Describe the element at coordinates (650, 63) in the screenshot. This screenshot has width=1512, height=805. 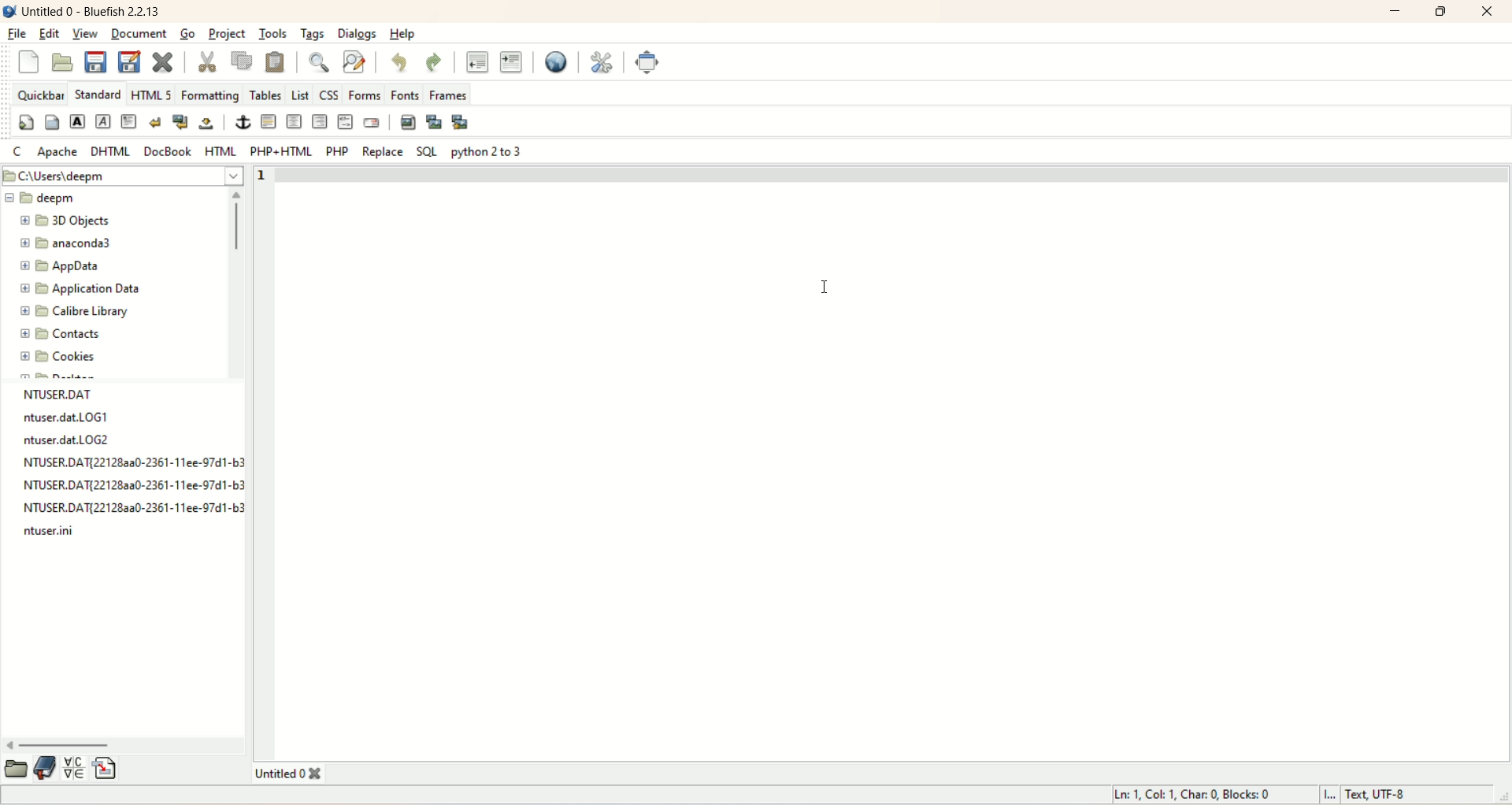
I see `fullscreen` at that location.